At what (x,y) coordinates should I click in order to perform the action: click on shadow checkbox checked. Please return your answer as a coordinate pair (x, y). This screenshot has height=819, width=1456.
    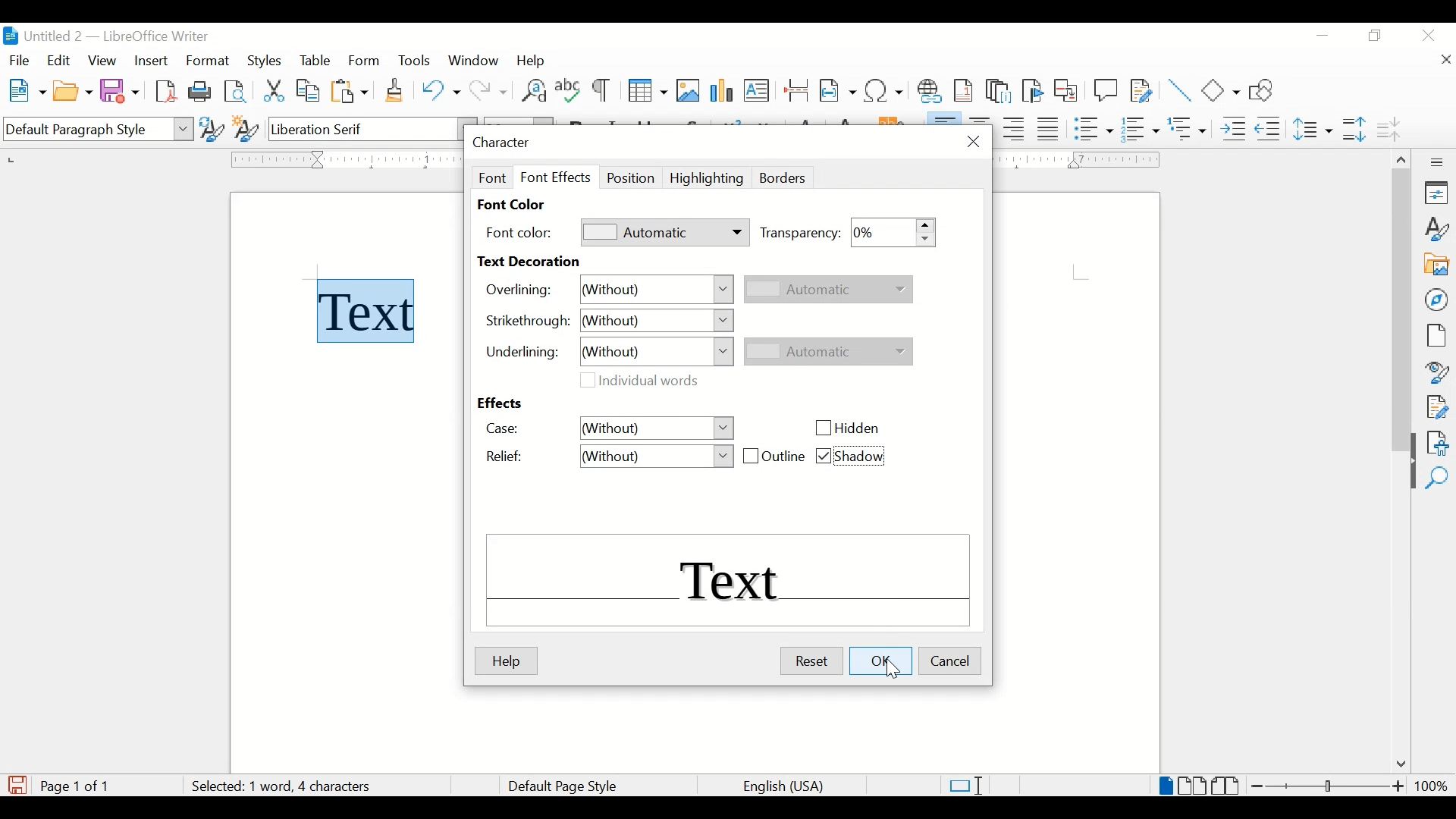
    Looking at the image, I should click on (852, 457).